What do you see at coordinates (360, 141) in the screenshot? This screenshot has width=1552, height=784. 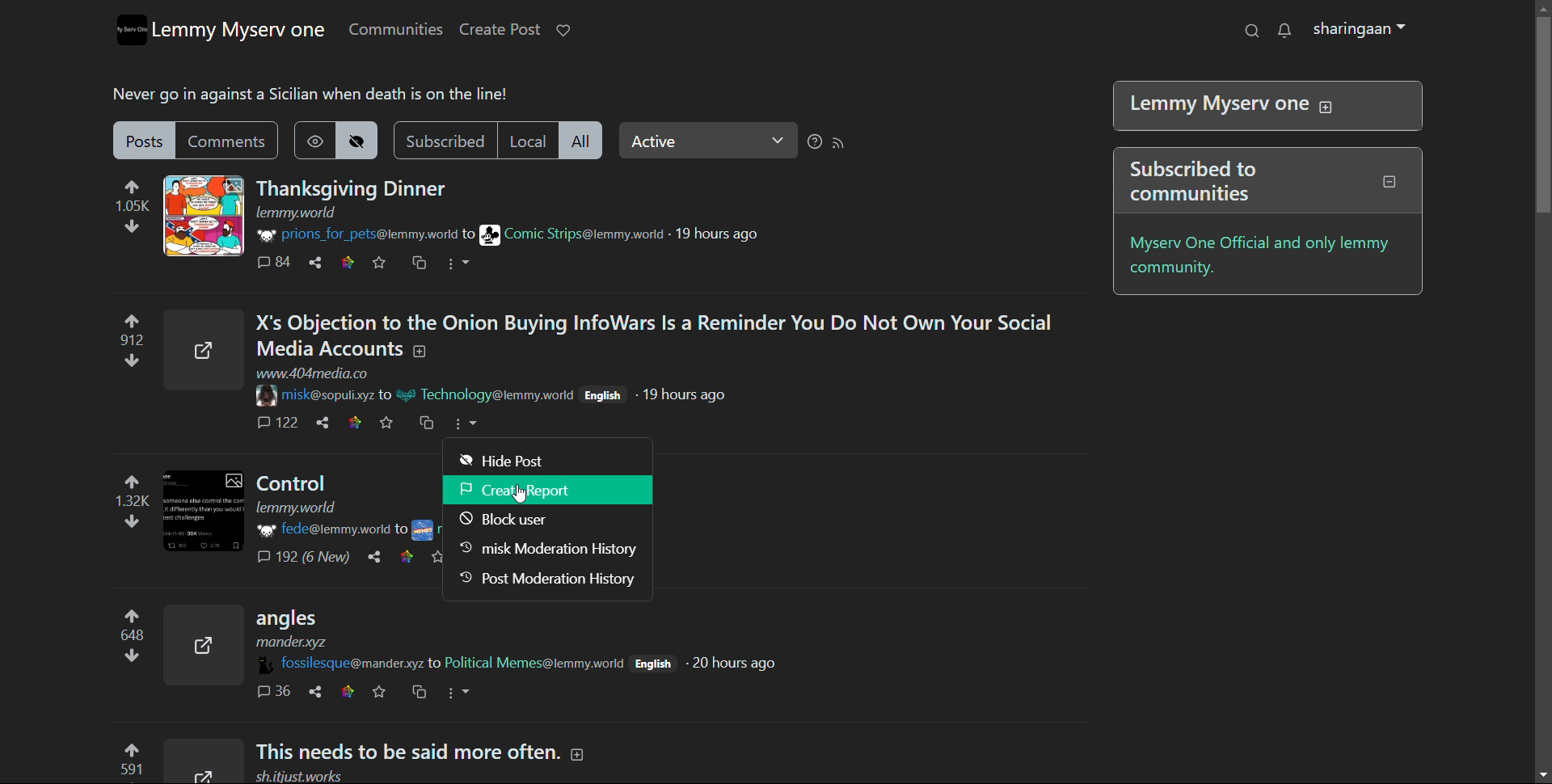 I see `hide posts` at bounding box center [360, 141].